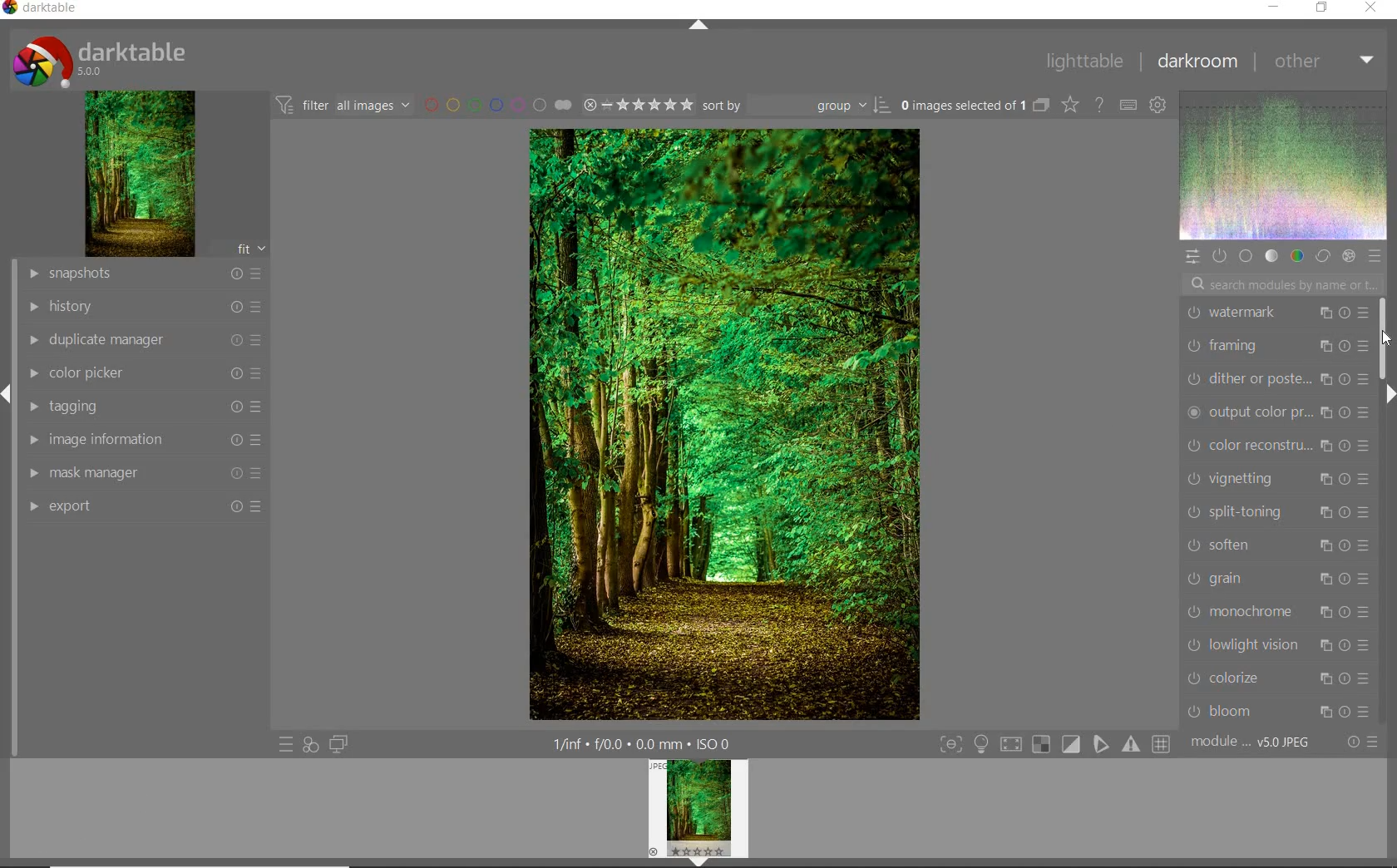 This screenshot has width=1397, height=868. What do you see at coordinates (1246, 258) in the screenshot?
I see `BASE` at bounding box center [1246, 258].